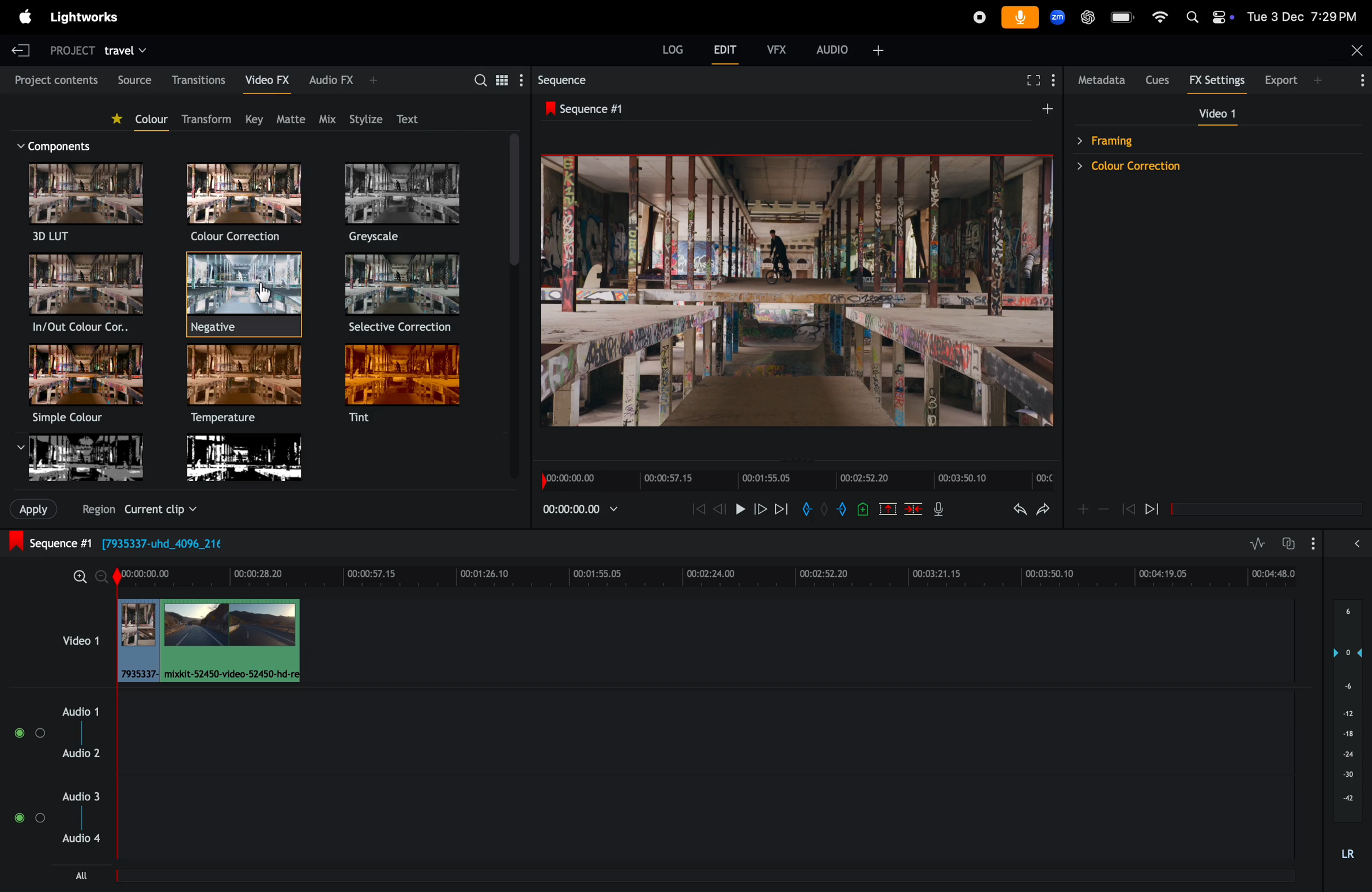 The width and height of the screenshot is (1372, 892). I want to click on audio 2, so click(87, 753).